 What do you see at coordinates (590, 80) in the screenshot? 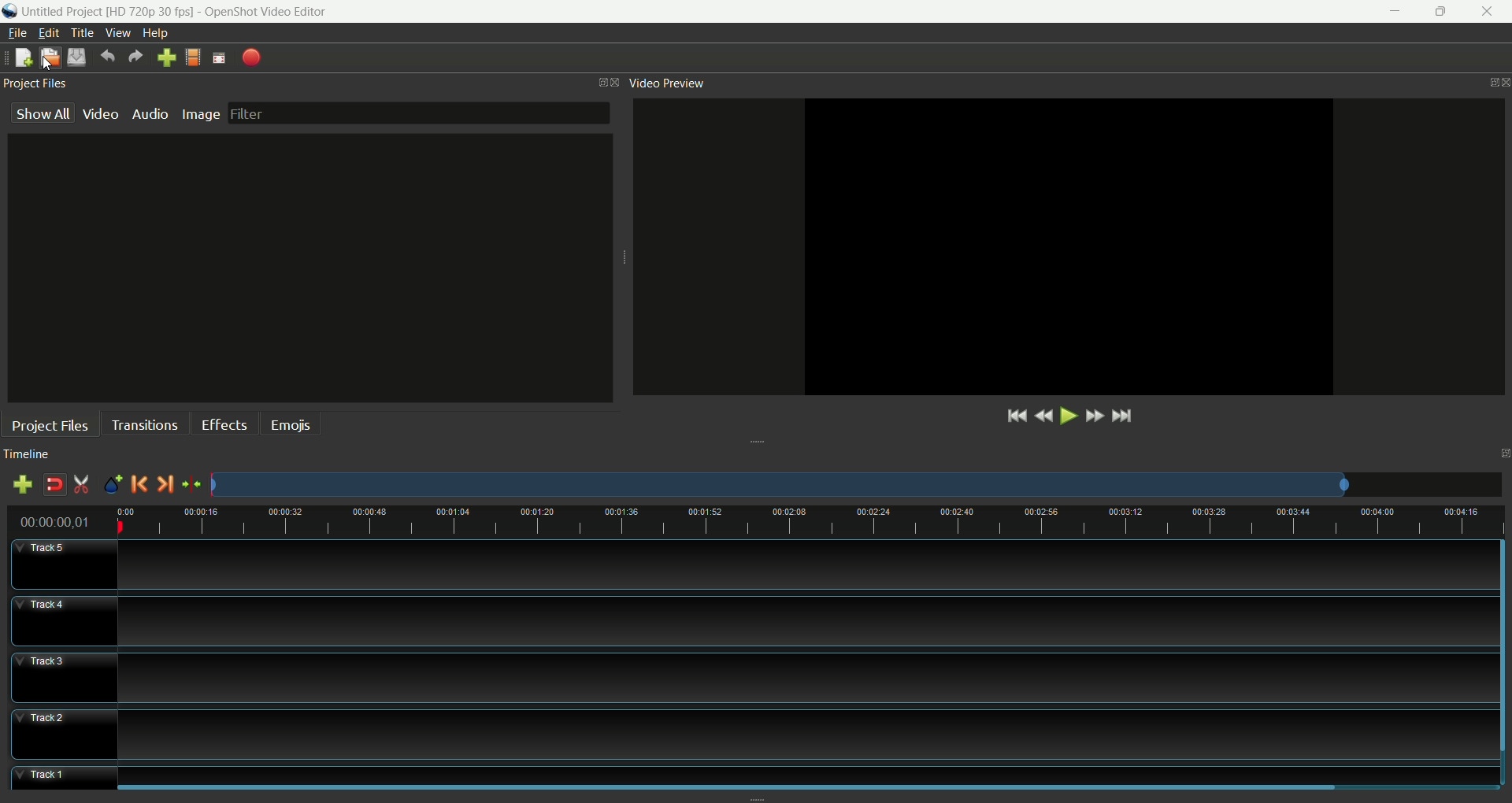
I see `maximize` at bounding box center [590, 80].